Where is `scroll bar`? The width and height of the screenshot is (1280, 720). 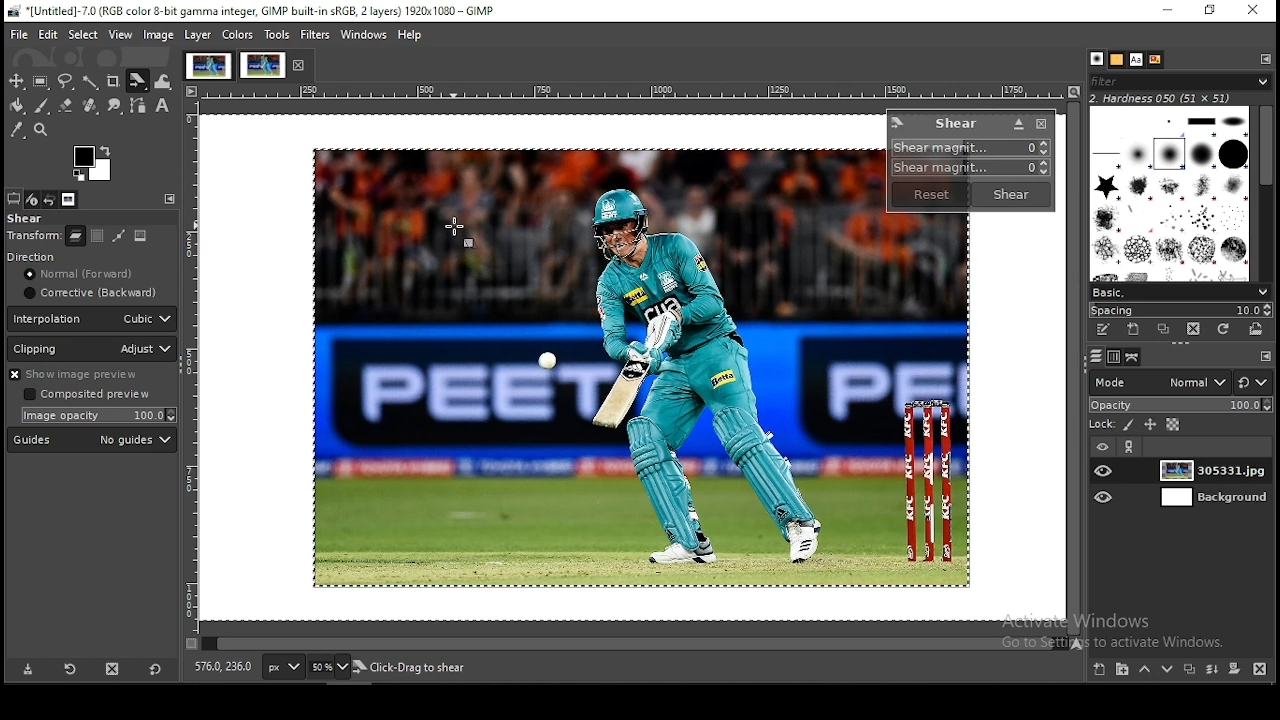
scroll bar is located at coordinates (1265, 191).